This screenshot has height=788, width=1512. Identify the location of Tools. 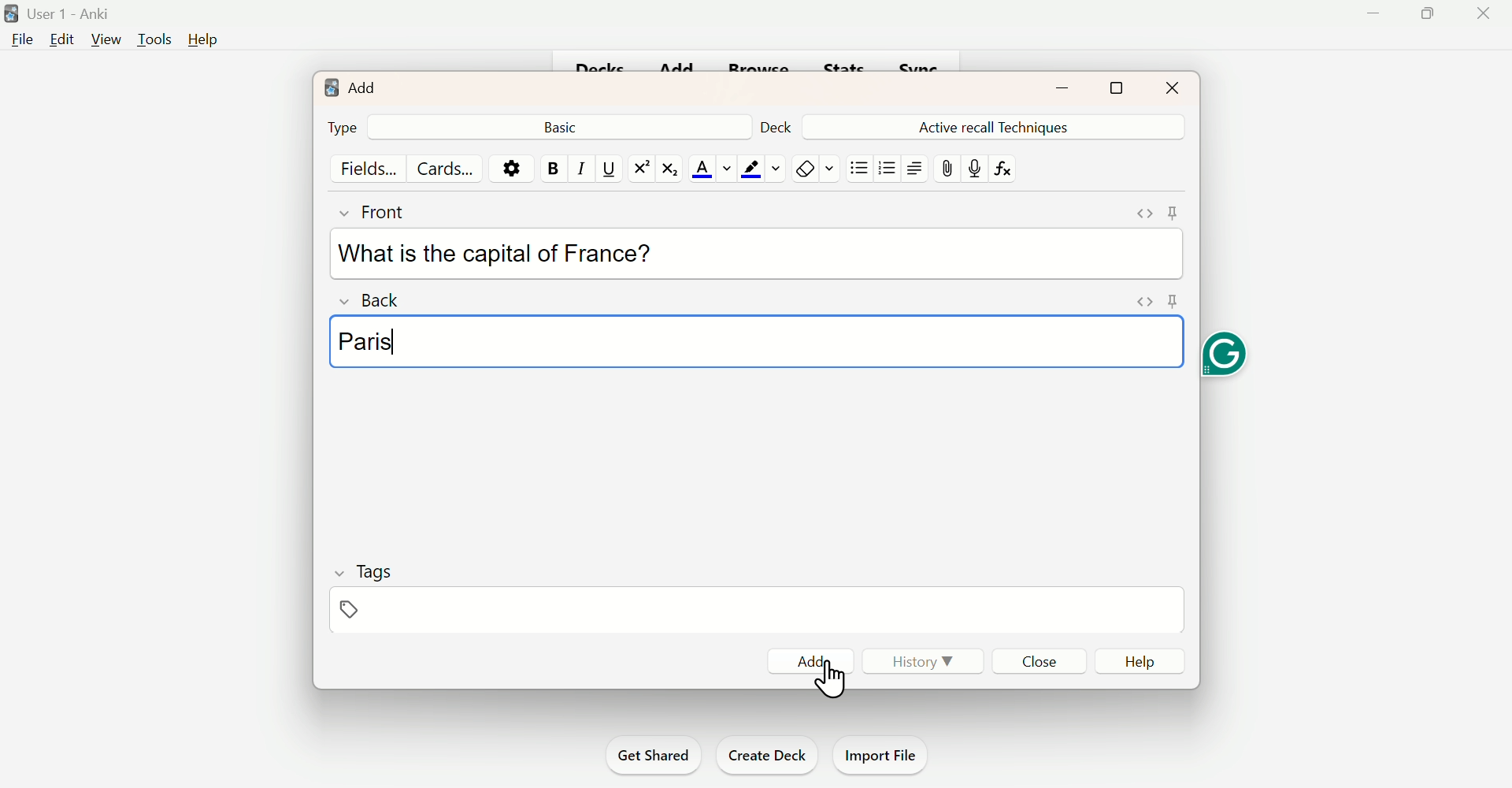
(150, 39).